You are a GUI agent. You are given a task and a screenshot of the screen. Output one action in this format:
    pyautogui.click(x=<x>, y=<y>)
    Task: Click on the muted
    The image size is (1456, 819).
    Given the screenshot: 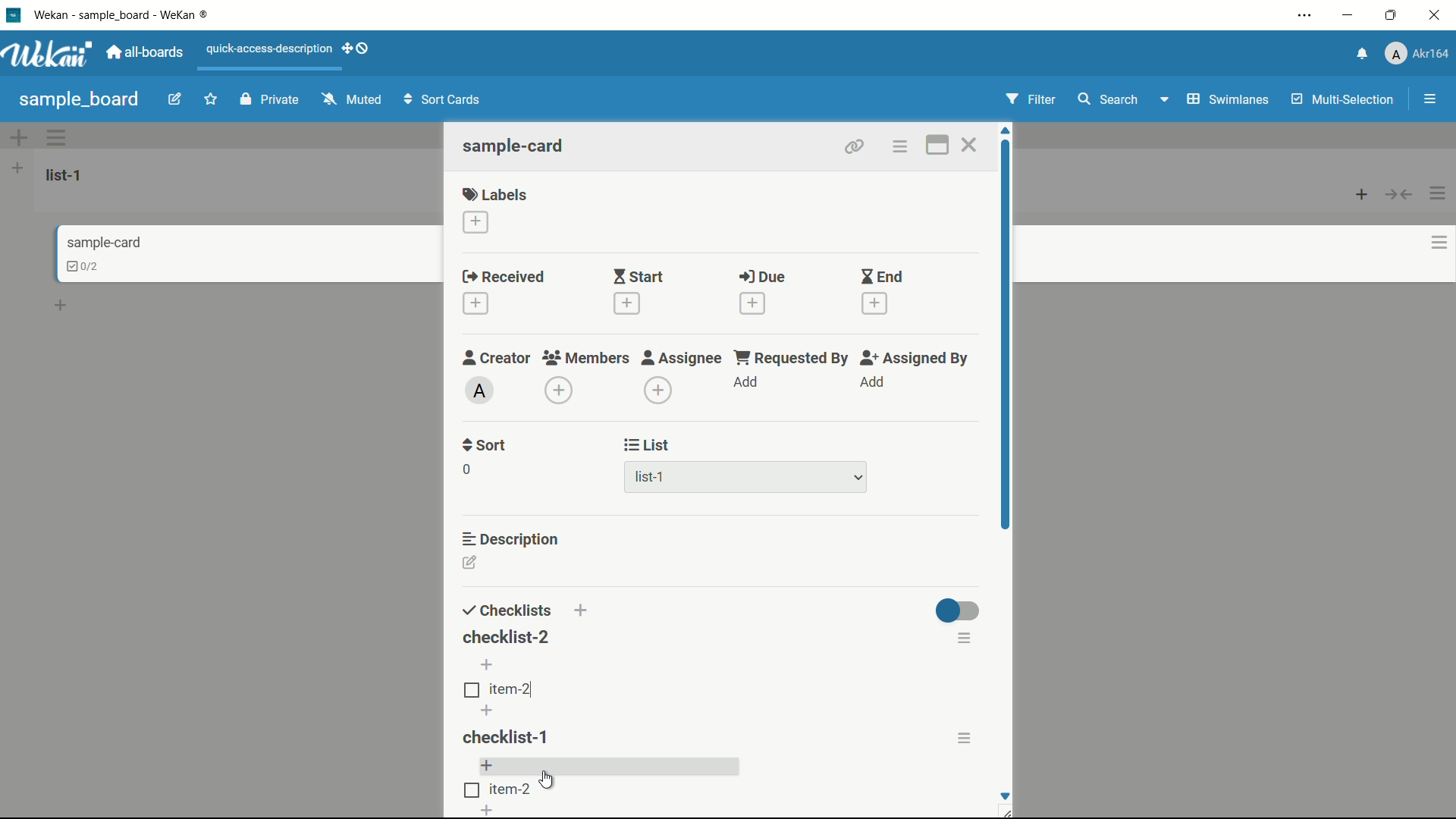 What is the action you would take?
    pyautogui.click(x=350, y=100)
    